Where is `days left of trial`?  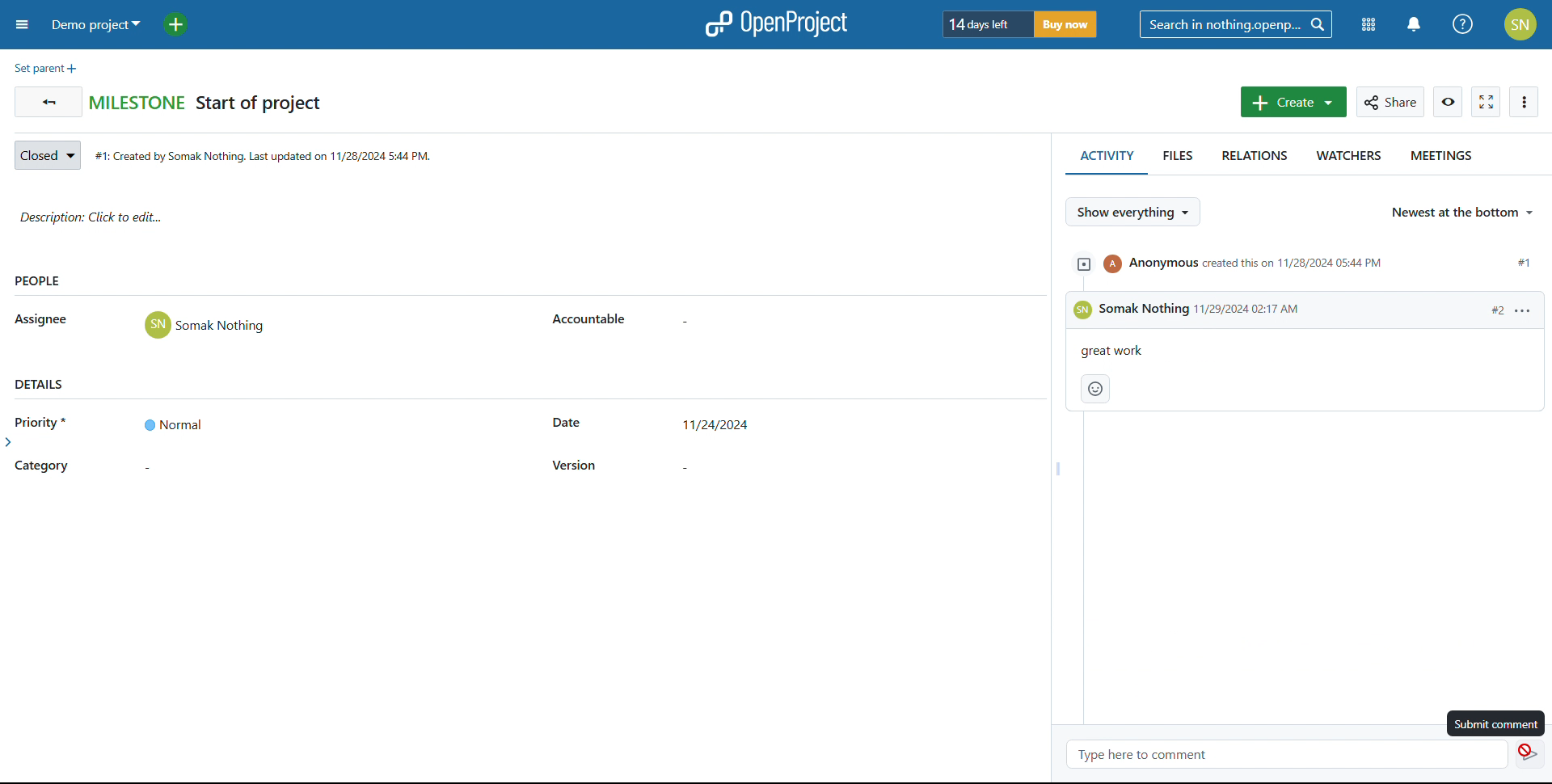 days left of trial is located at coordinates (982, 23).